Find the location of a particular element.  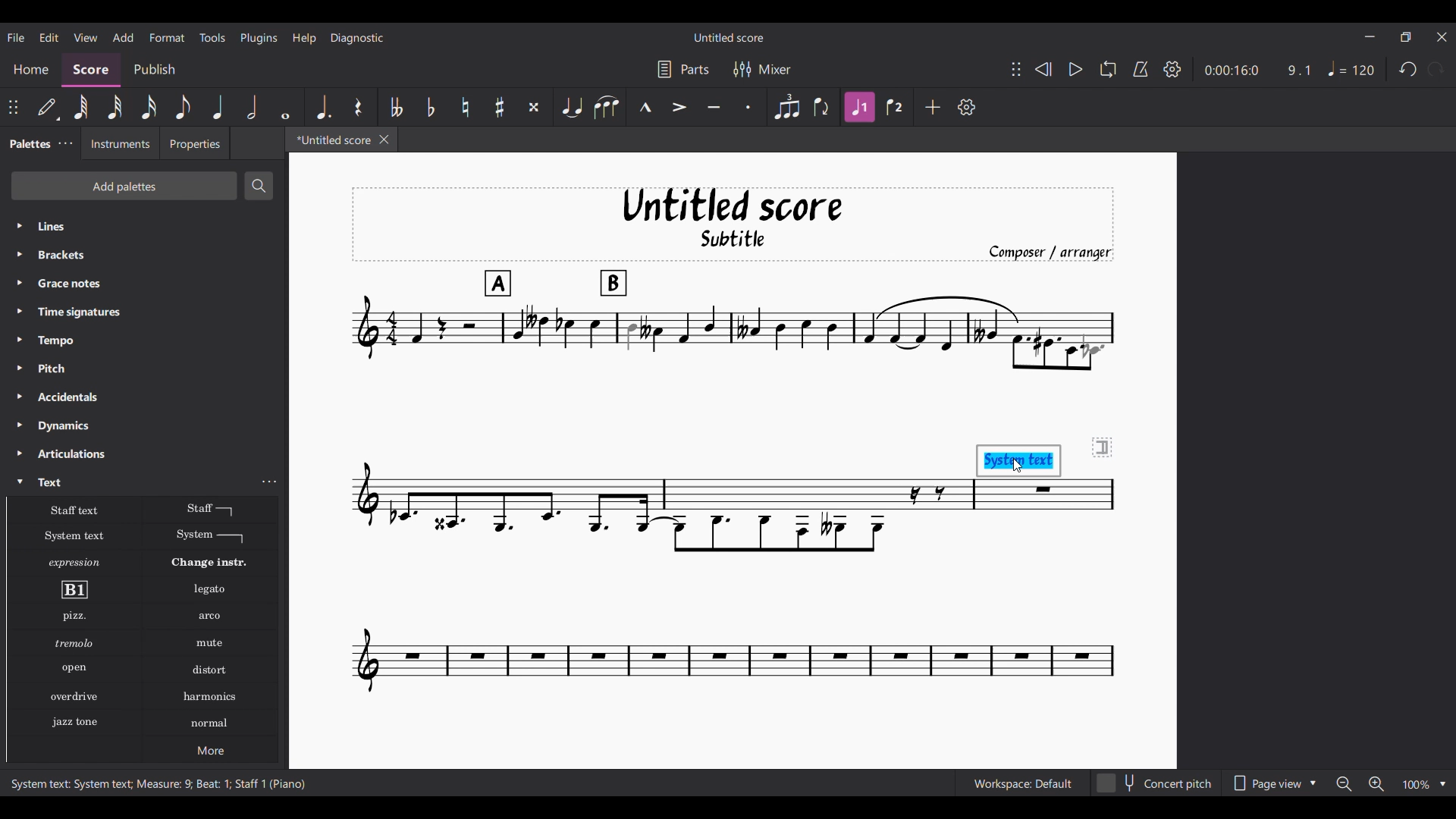

Help menu is located at coordinates (304, 38).